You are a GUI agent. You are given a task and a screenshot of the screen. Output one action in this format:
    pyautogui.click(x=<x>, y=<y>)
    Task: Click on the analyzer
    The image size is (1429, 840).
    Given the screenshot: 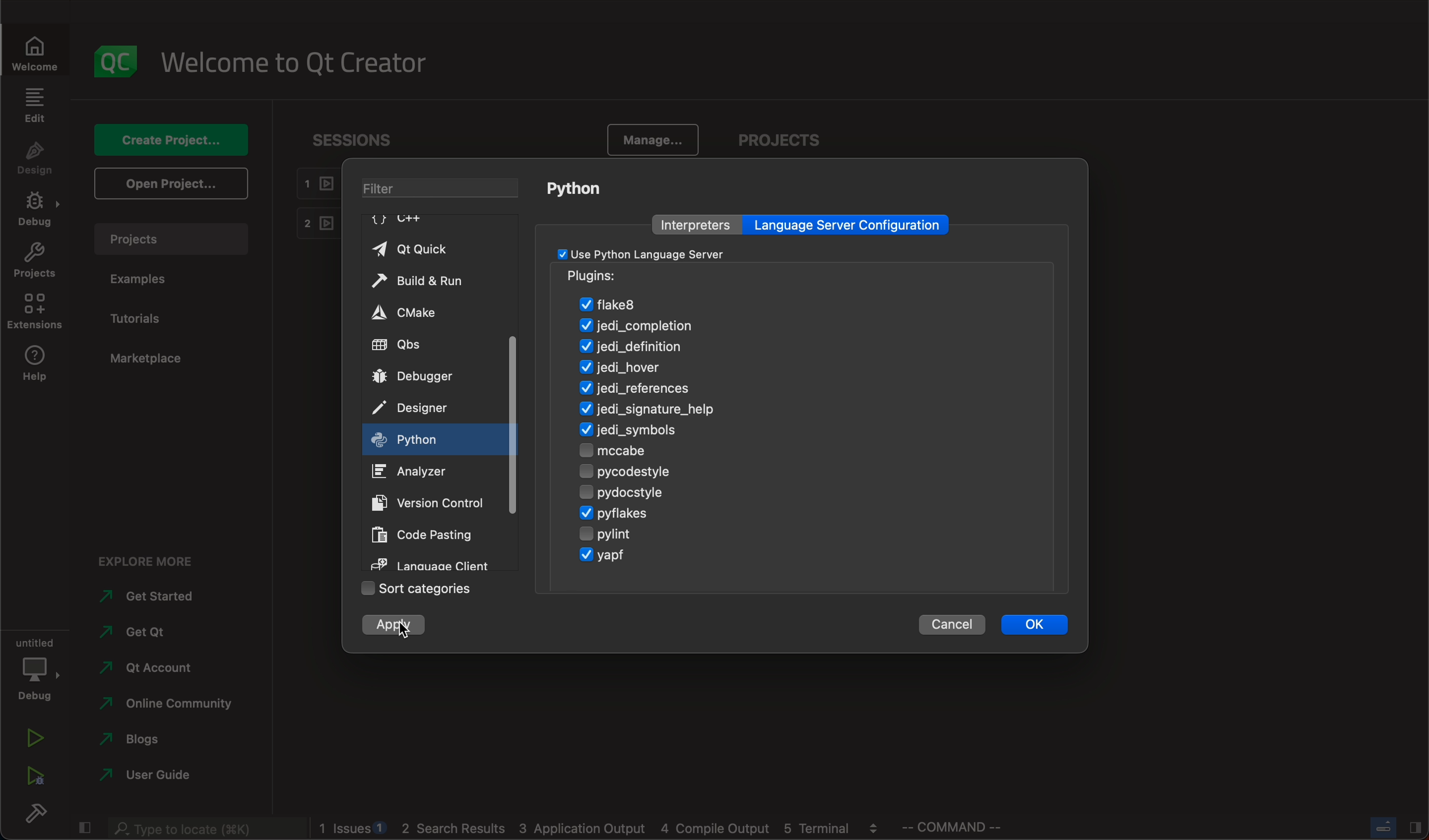 What is the action you would take?
    pyautogui.click(x=418, y=470)
    